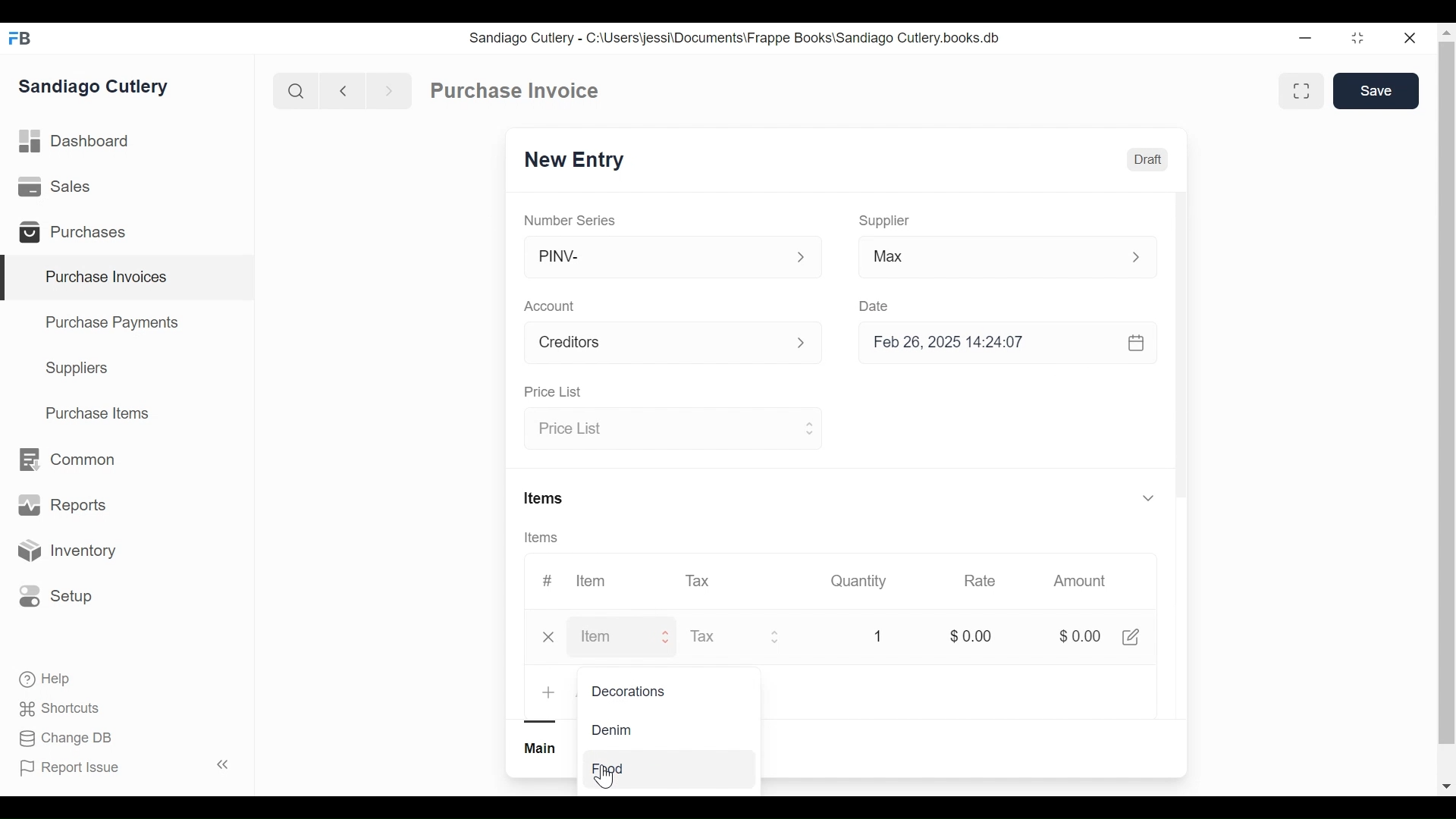 This screenshot has width=1456, height=819. Describe the element at coordinates (667, 637) in the screenshot. I see `Expand` at that location.